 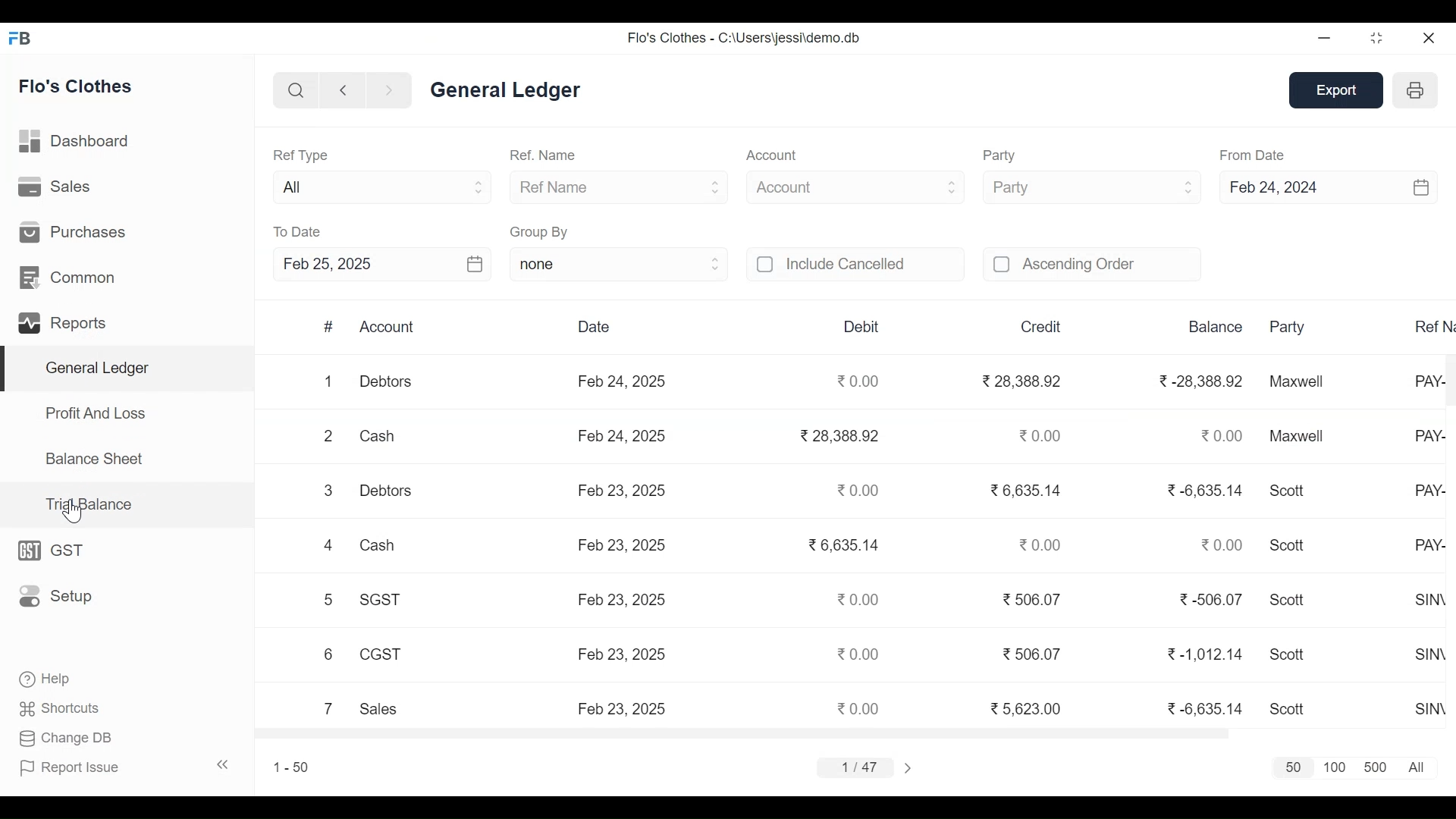 What do you see at coordinates (621, 598) in the screenshot?
I see `Feb 23. 2025` at bounding box center [621, 598].